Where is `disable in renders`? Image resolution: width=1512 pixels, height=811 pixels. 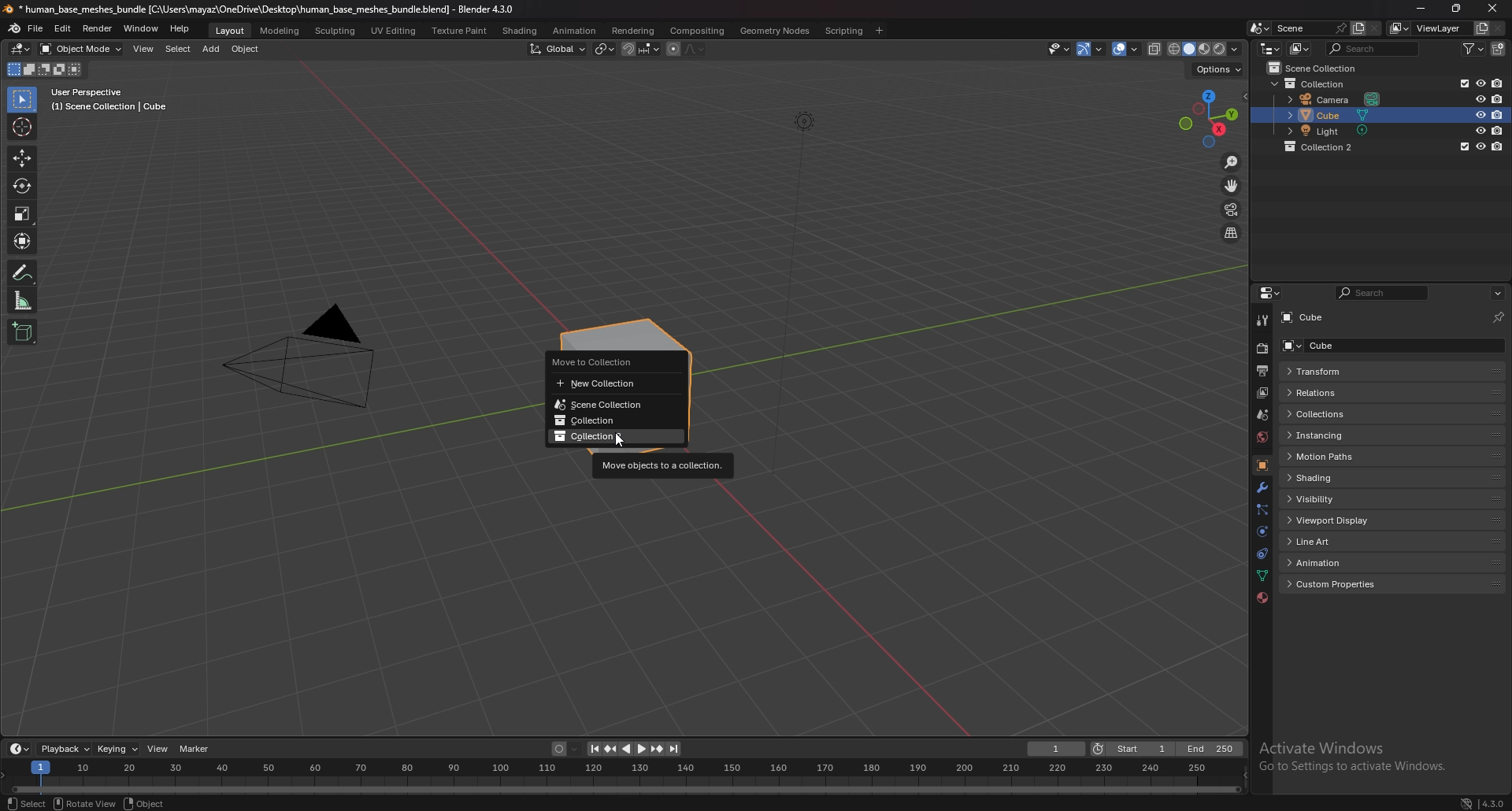 disable in renders is located at coordinates (1499, 114).